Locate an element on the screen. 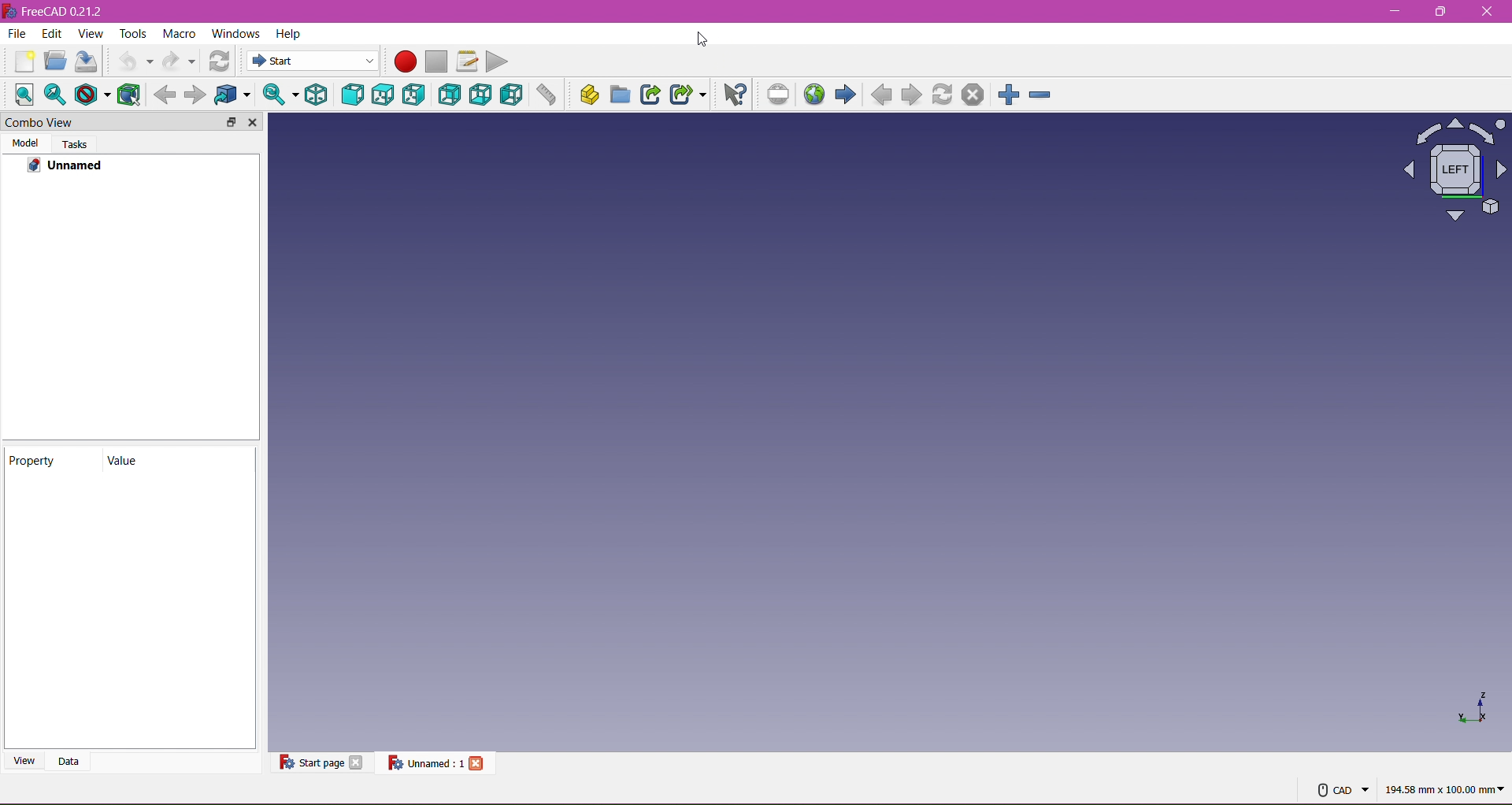  Isometric is located at coordinates (316, 94).